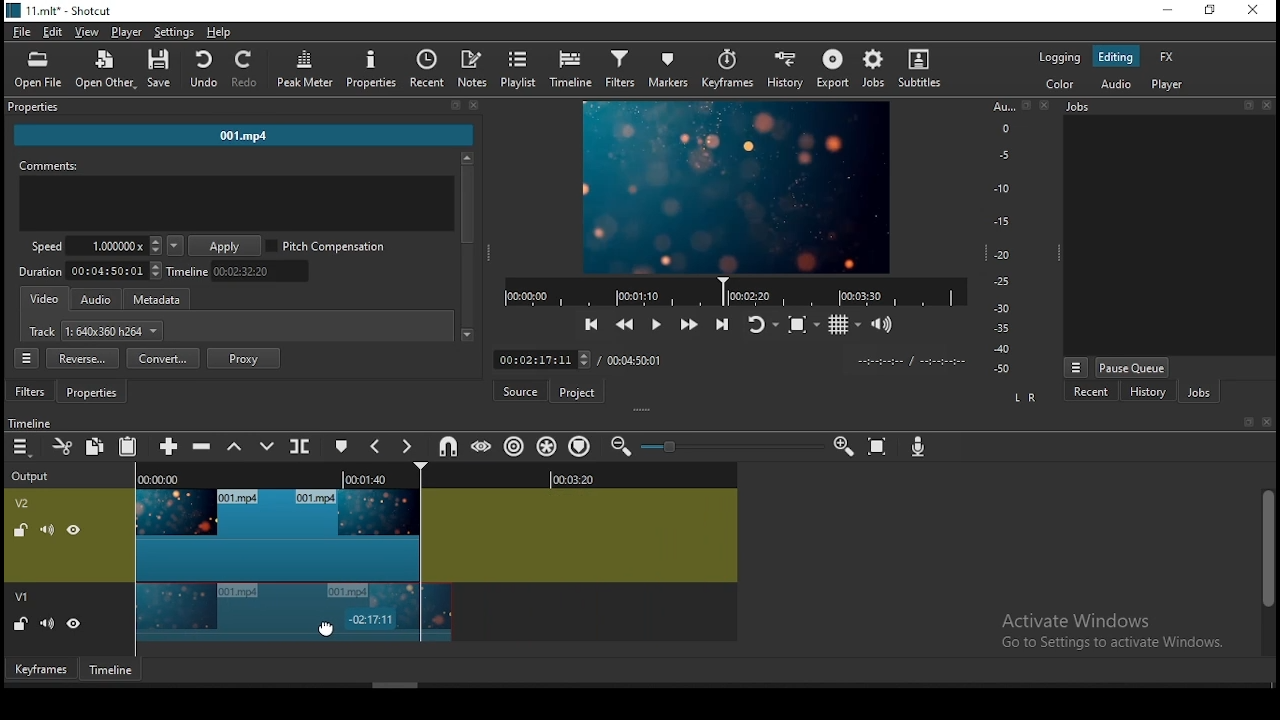  What do you see at coordinates (327, 628) in the screenshot?
I see `cursor` at bounding box center [327, 628].